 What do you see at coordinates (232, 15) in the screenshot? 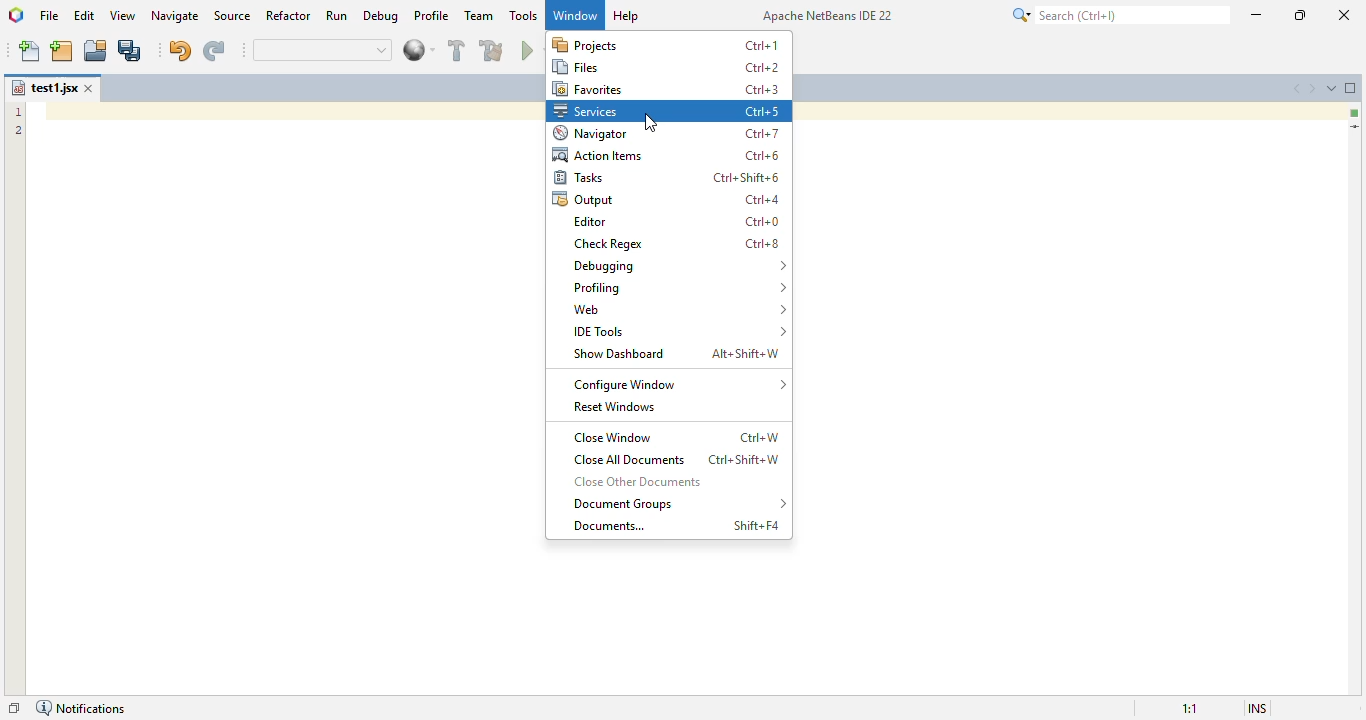
I see `source` at bounding box center [232, 15].